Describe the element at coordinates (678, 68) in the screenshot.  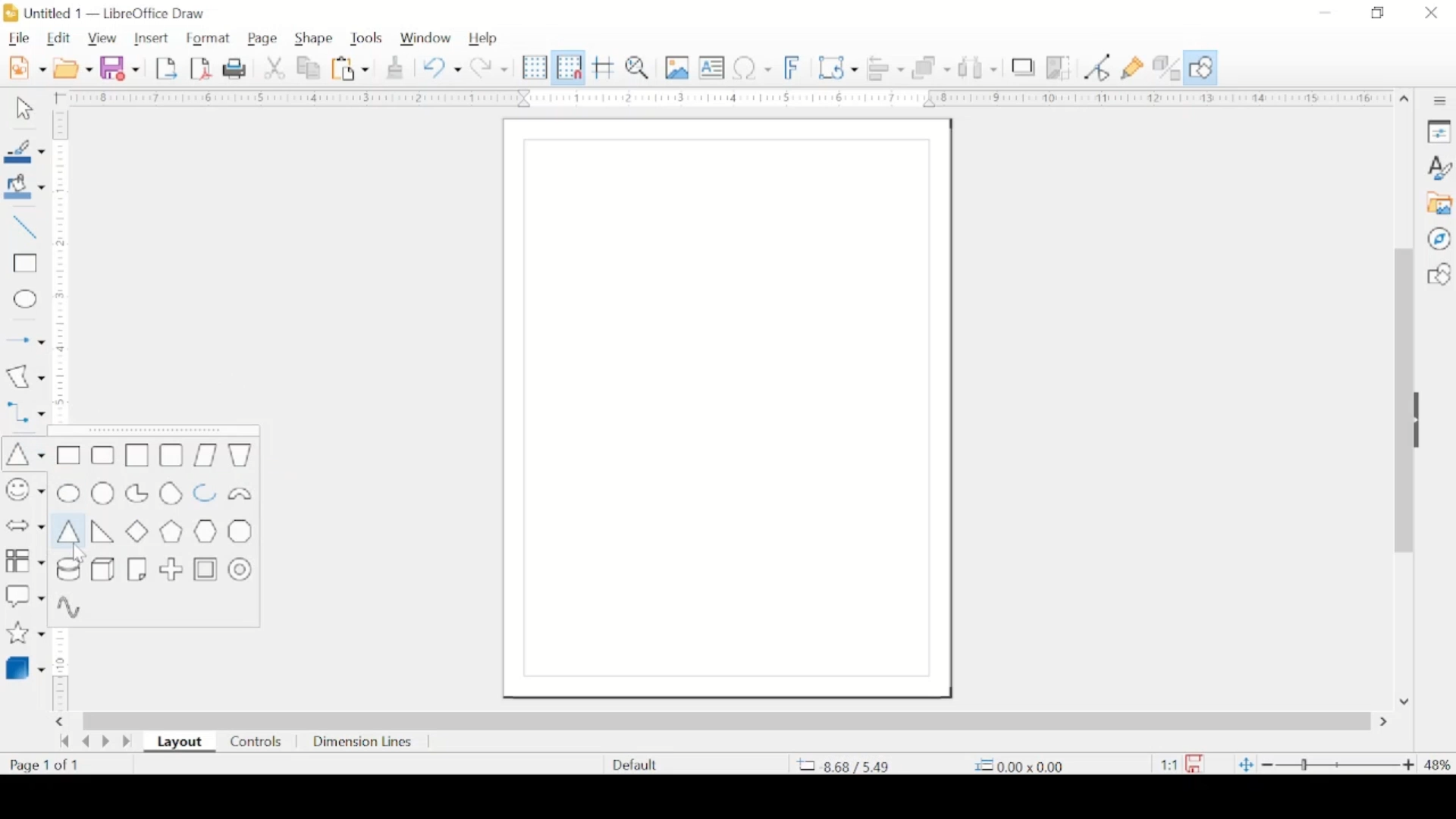
I see `insert image` at that location.